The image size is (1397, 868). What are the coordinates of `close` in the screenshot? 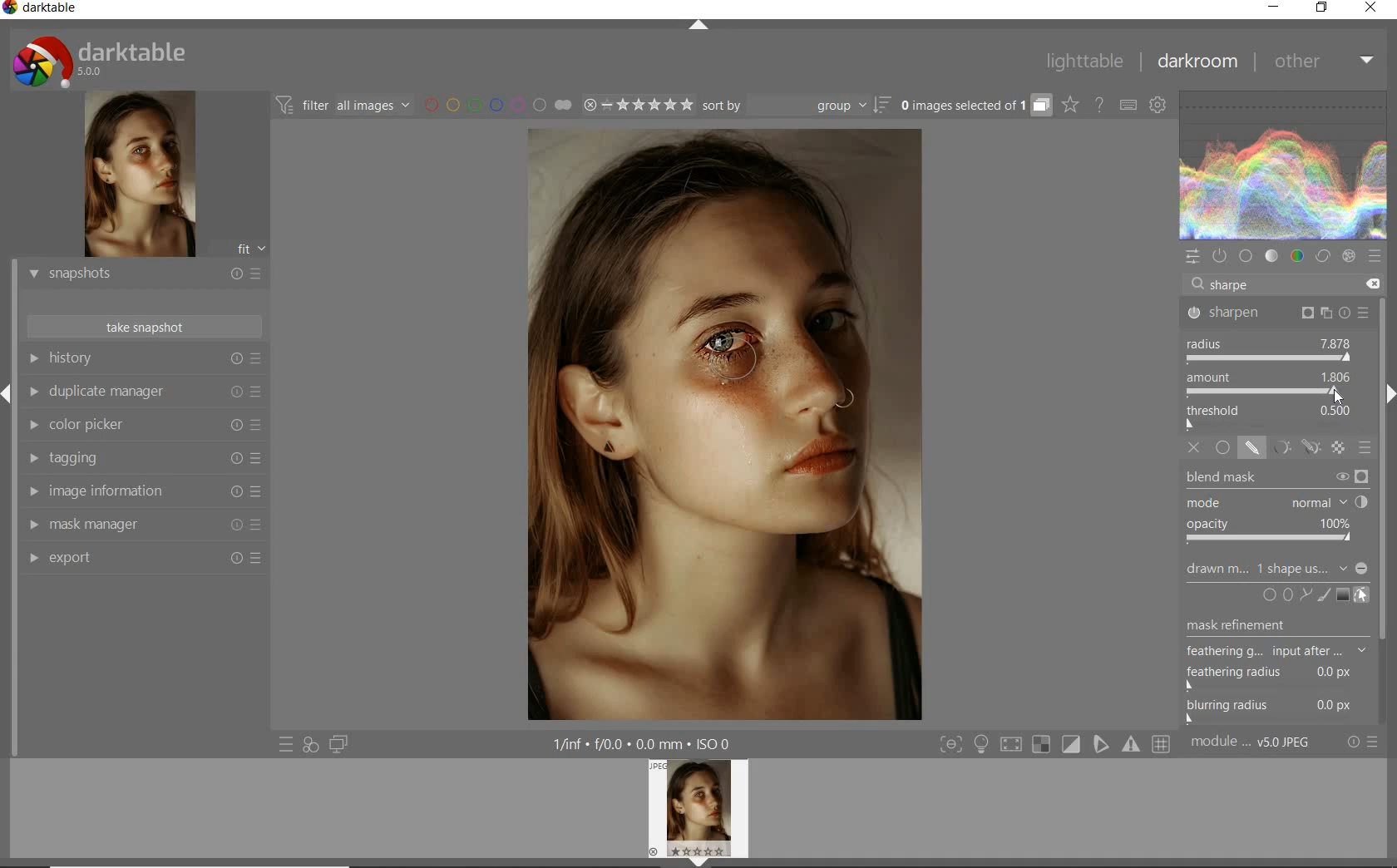 It's located at (1372, 9).